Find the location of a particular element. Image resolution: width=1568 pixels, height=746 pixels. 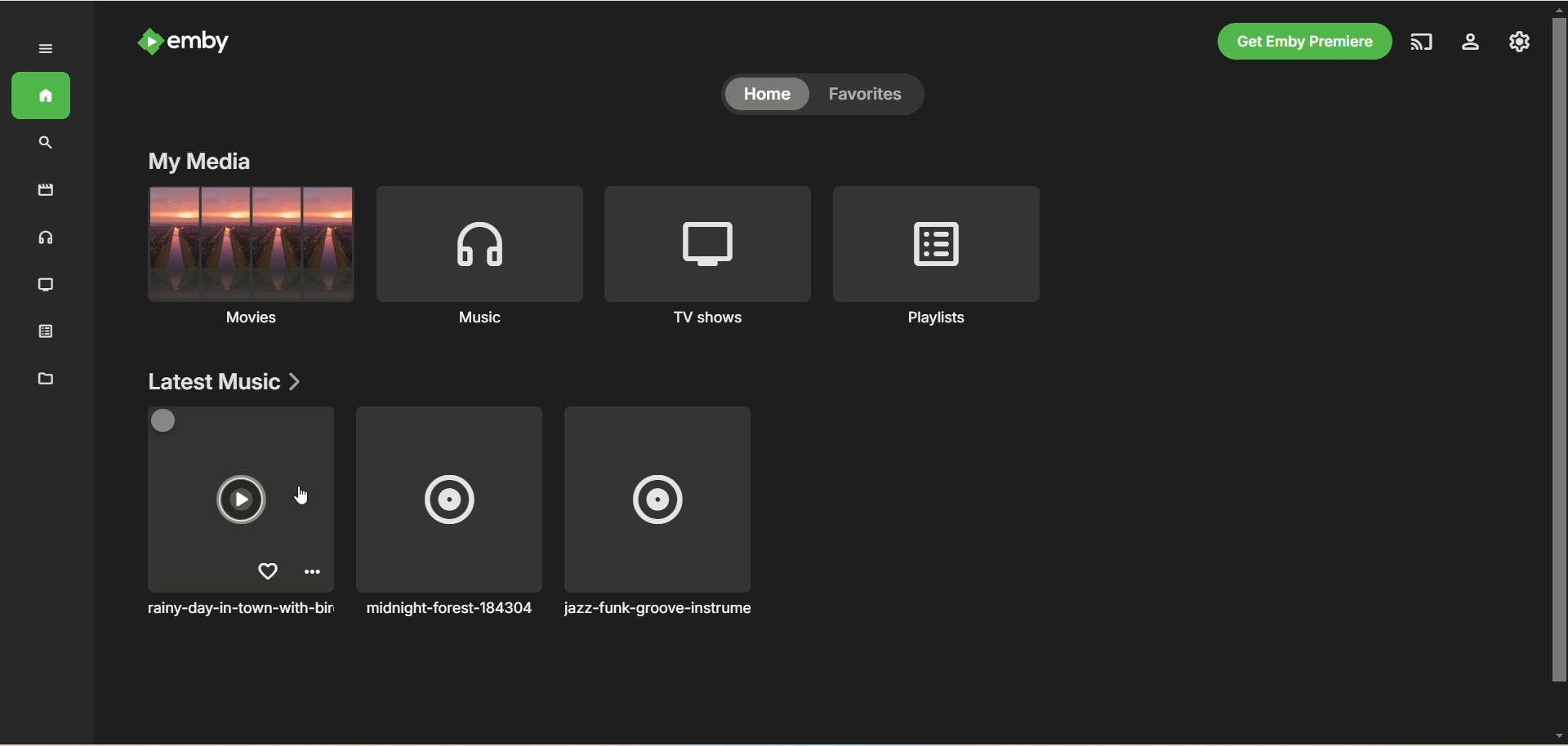

TV shows is located at coordinates (706, 257).